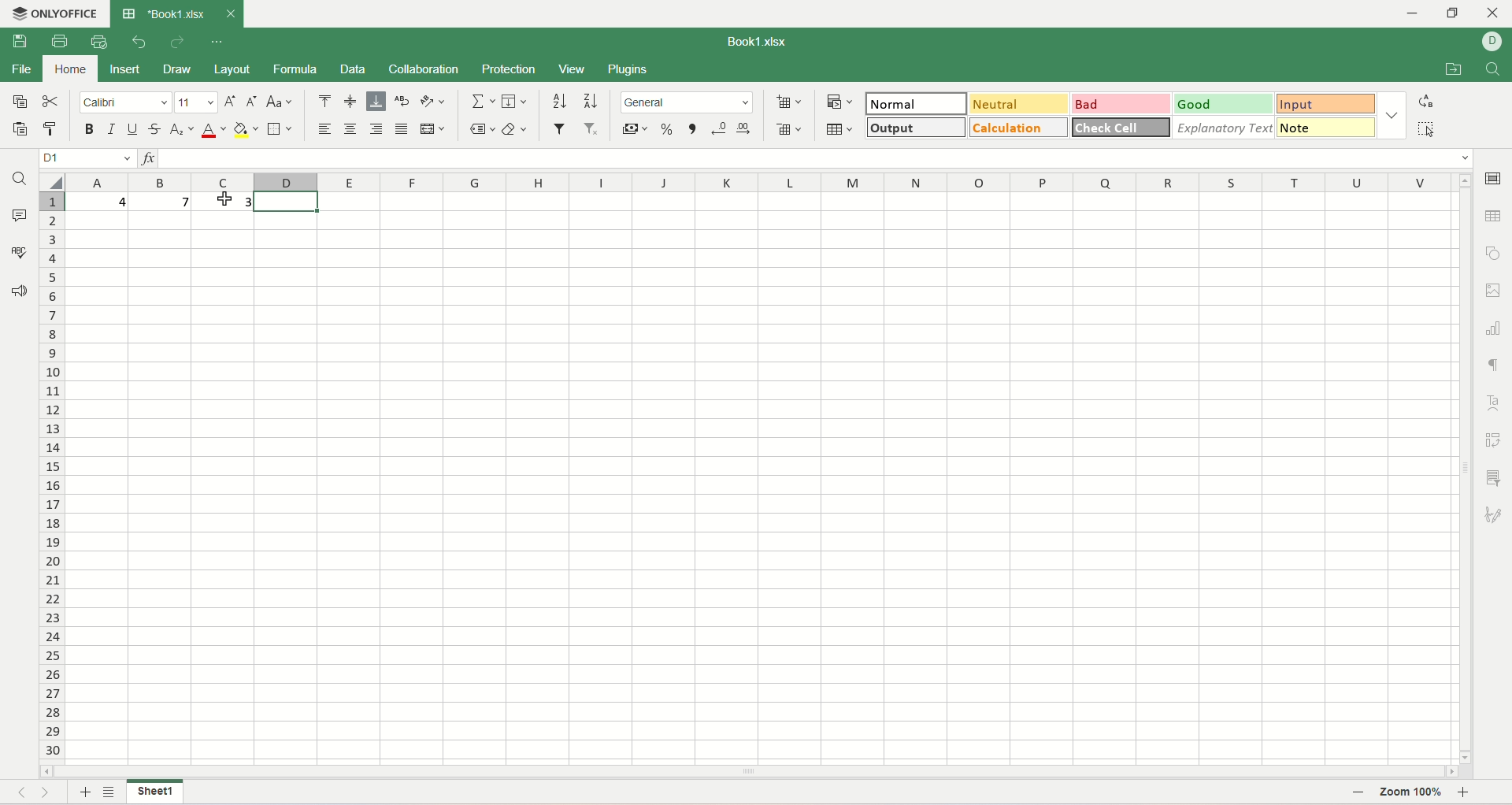  I want to click on comma format, so click(692, 129).